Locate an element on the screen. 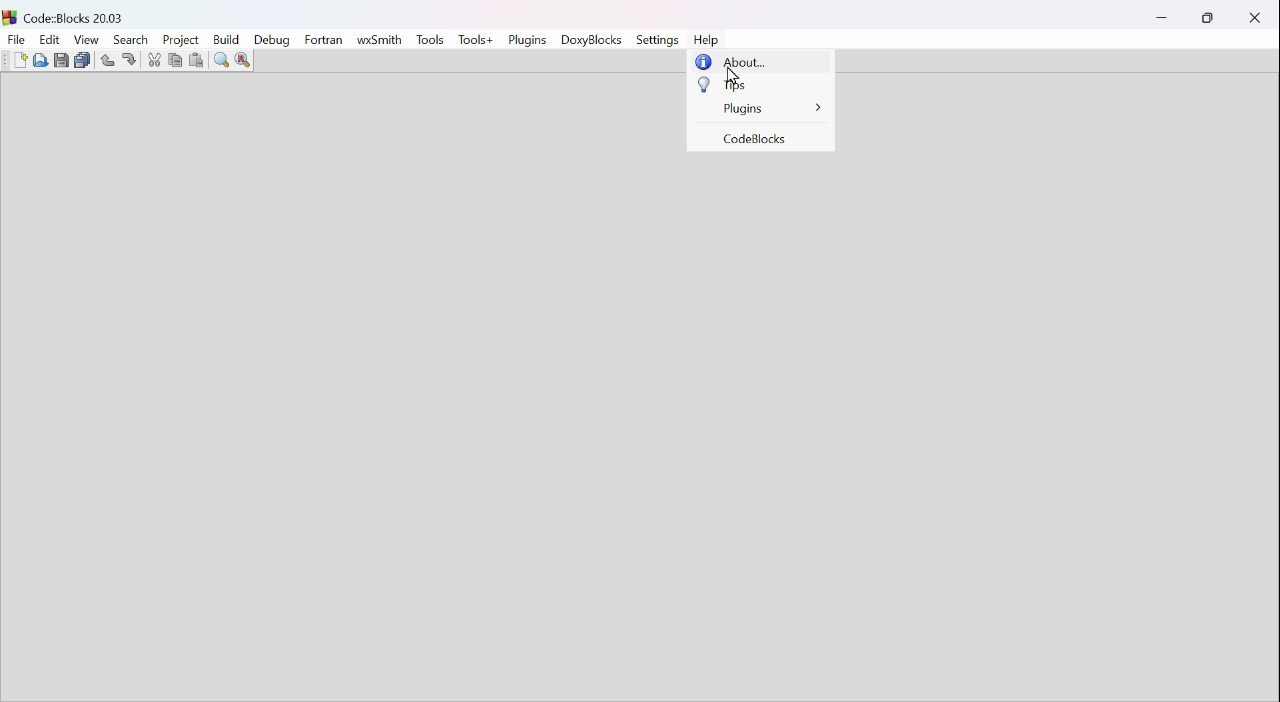 This screenshot has width=1280, height=702. Save all is located at coordinates (82, 63).